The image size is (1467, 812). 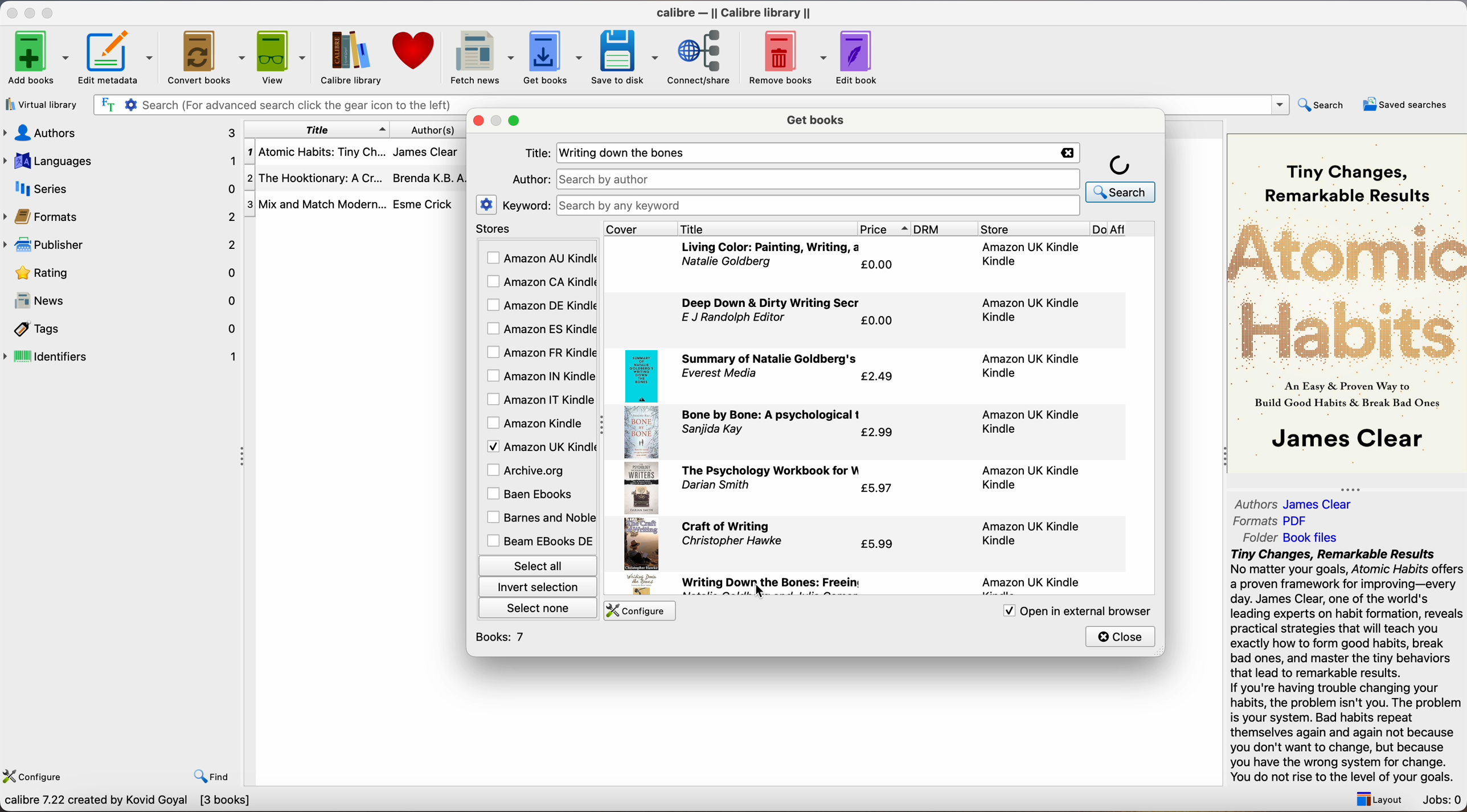 What do you see at coordinates (425, 150) in the screenshot?
I see `James Clear` at bounding box center [425, 150].